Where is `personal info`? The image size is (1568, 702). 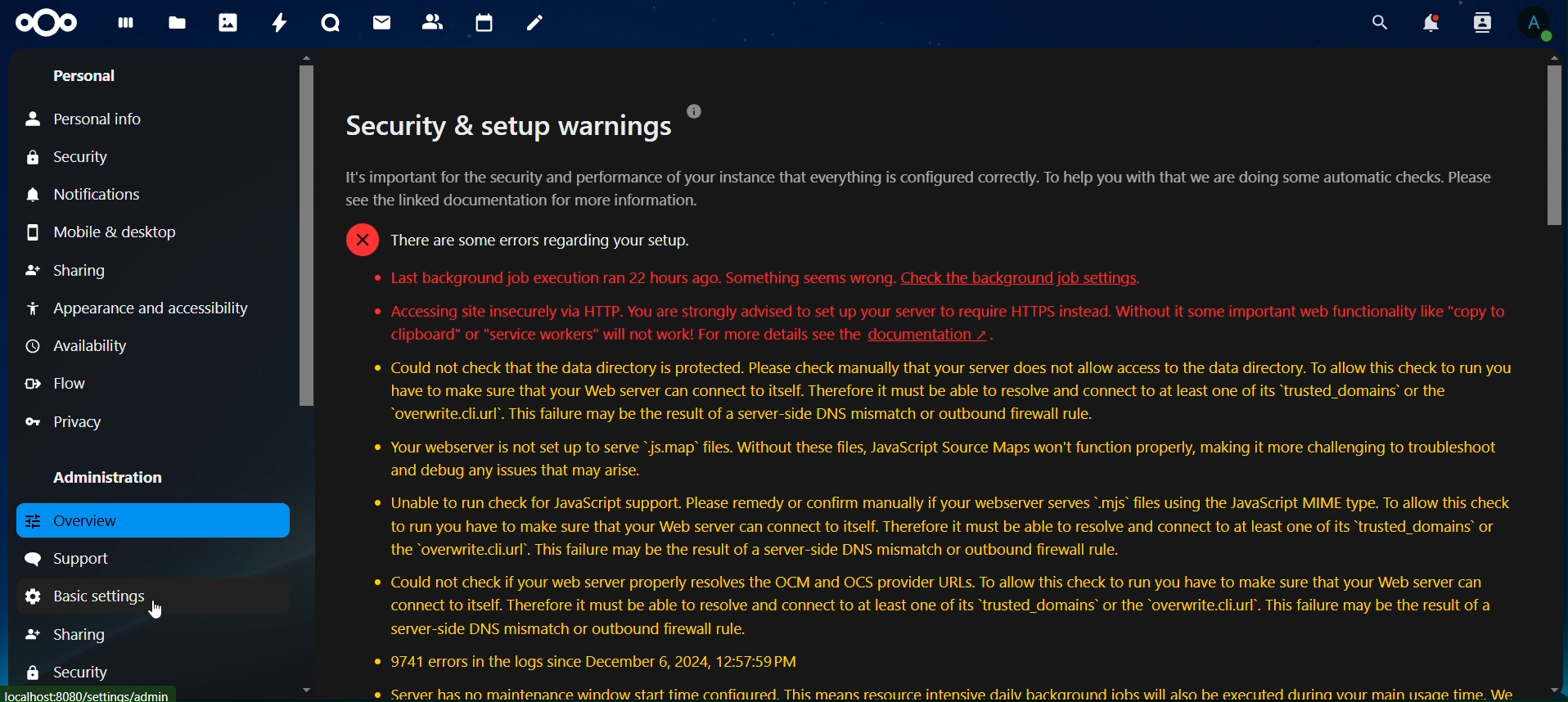
personal info is located at coordinates (107, 120).